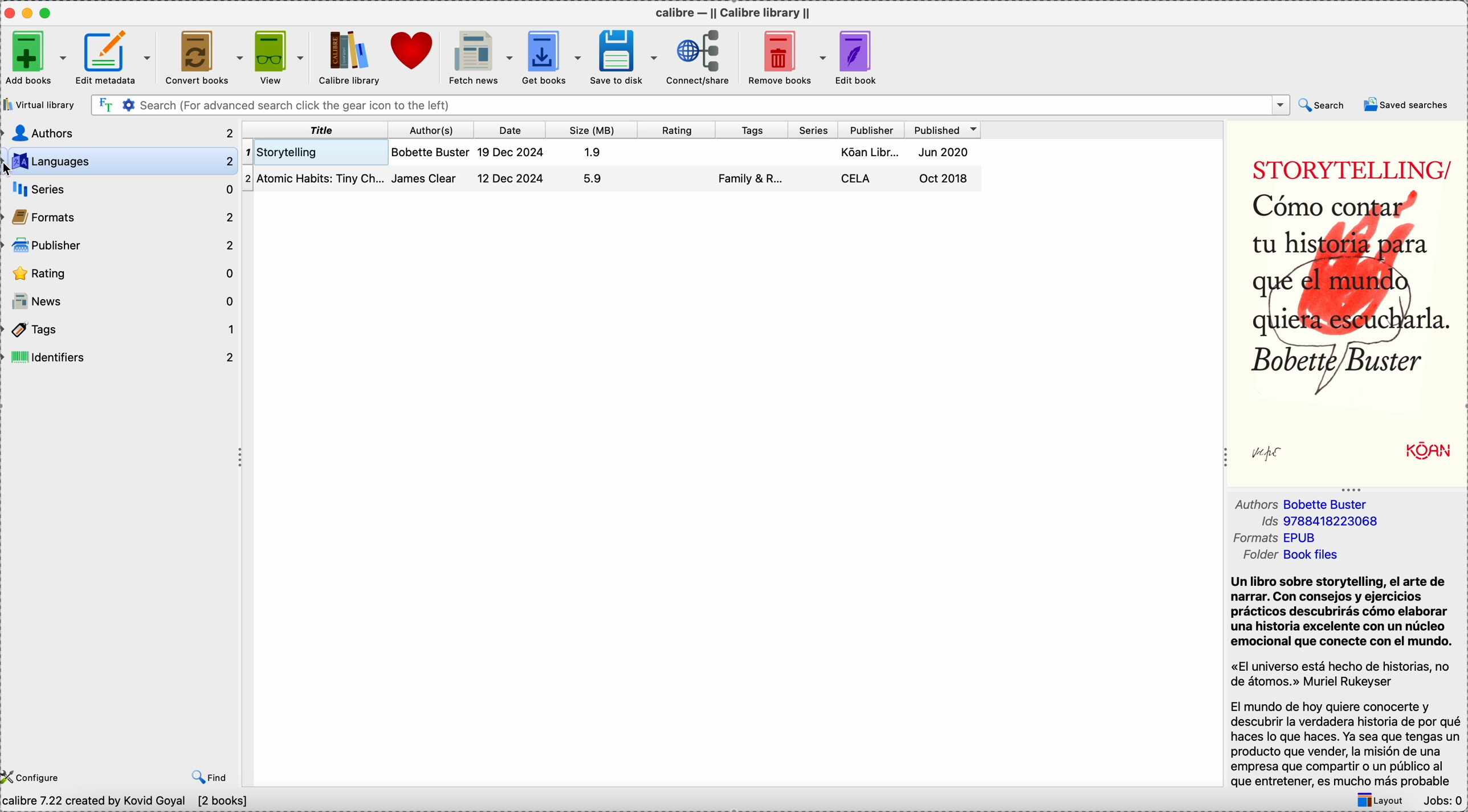 The height and width of the screenshot is (812, 1468). Describe the element at coordinates (943, 130) in the screenshot. I see `published` at that location.